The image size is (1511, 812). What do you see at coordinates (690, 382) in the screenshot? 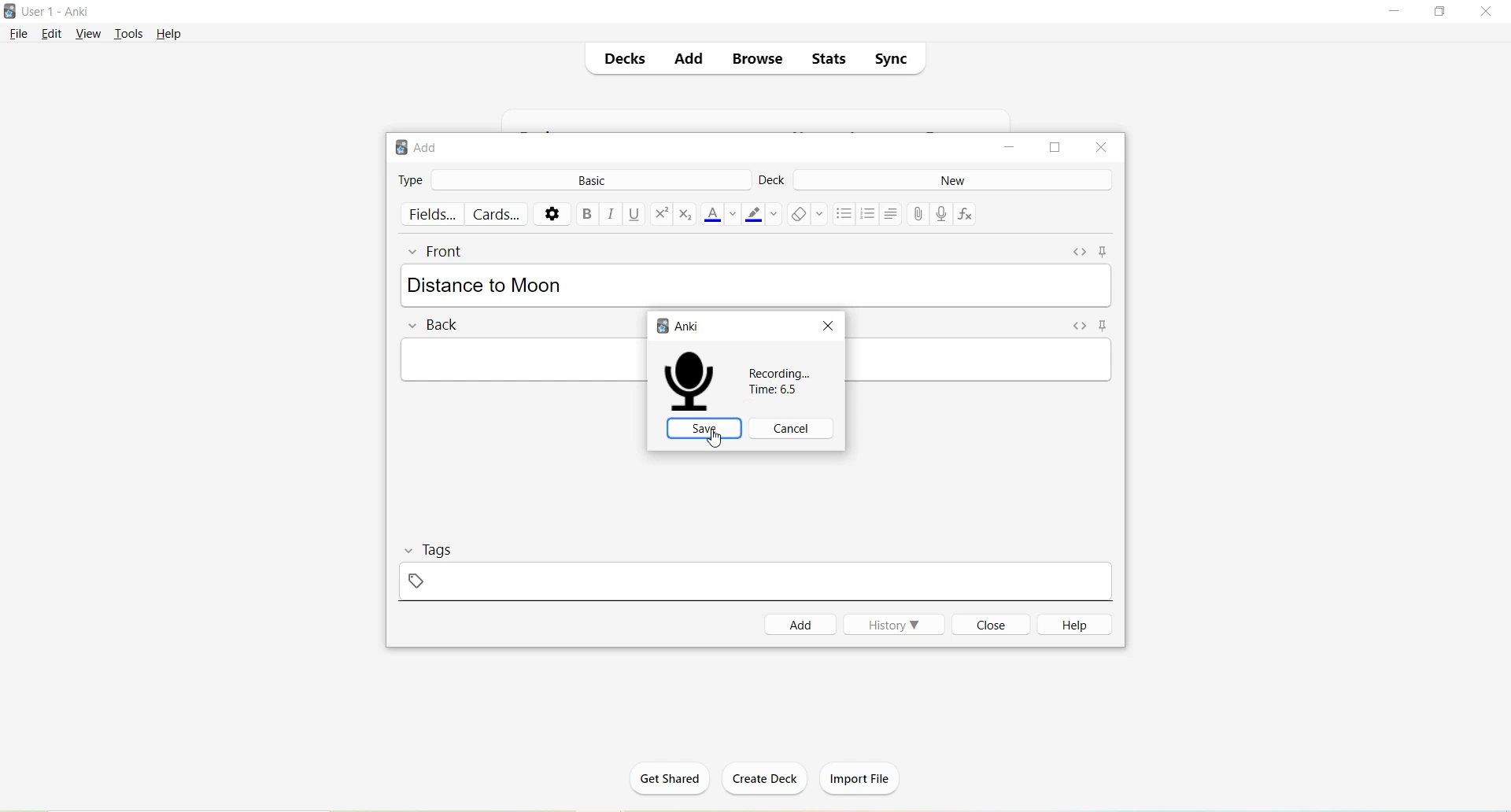
I see `Recording icon` at bounding box center [690, 382].